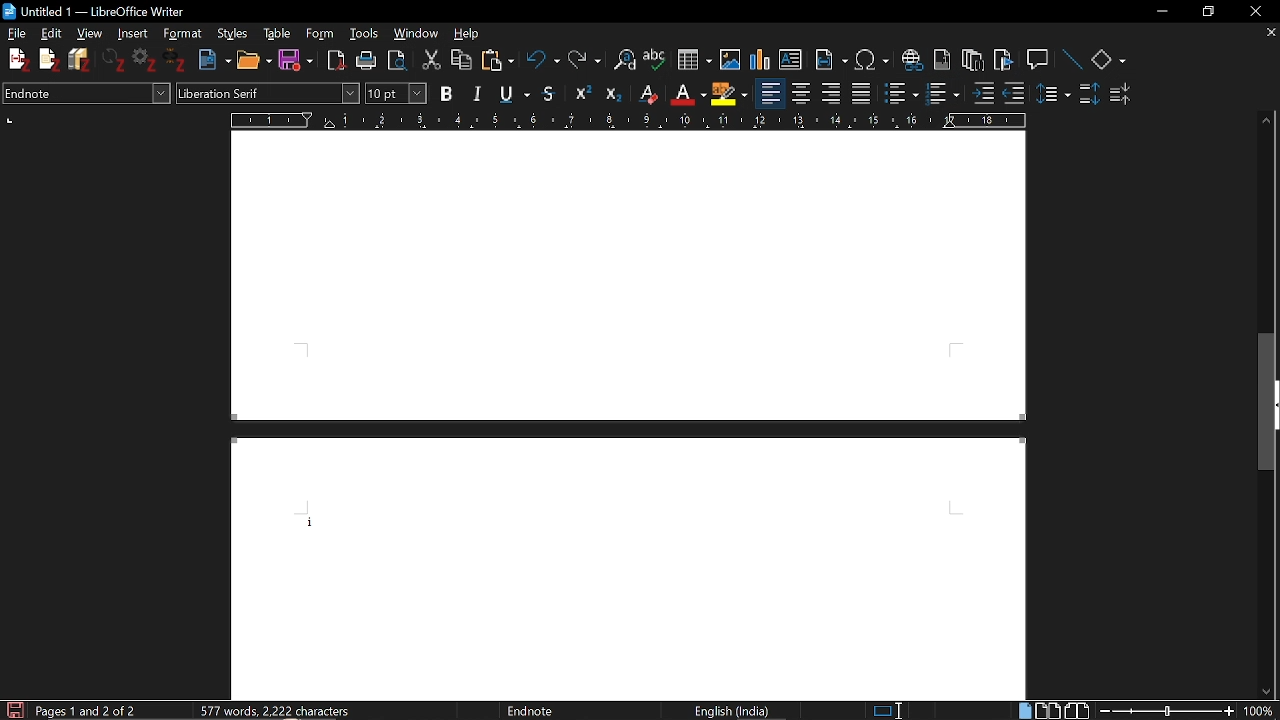  Describe the element at coordinates (336, 61) in the screenshot. I see `Save as PDF` at that location.